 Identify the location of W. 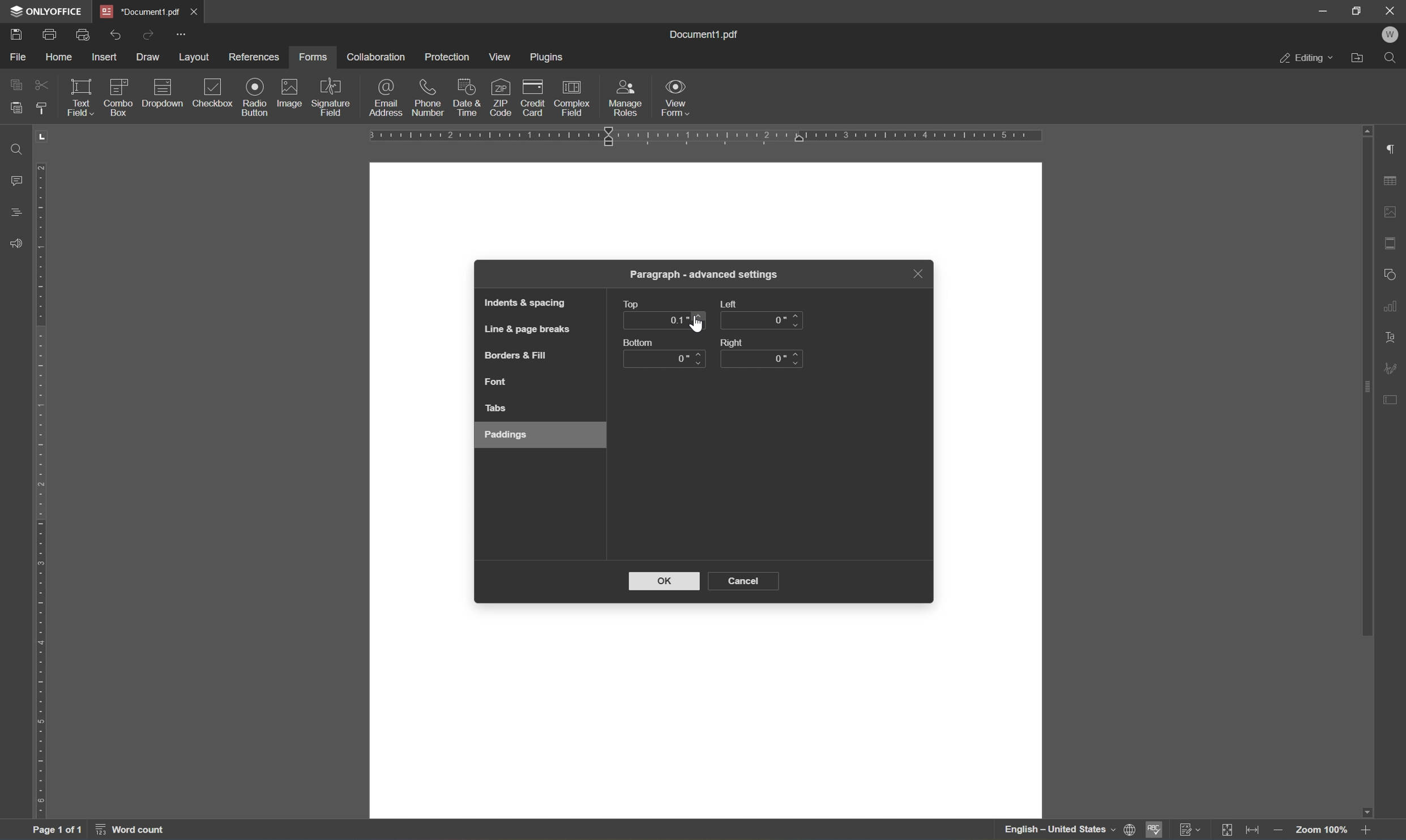
(1392, 36).